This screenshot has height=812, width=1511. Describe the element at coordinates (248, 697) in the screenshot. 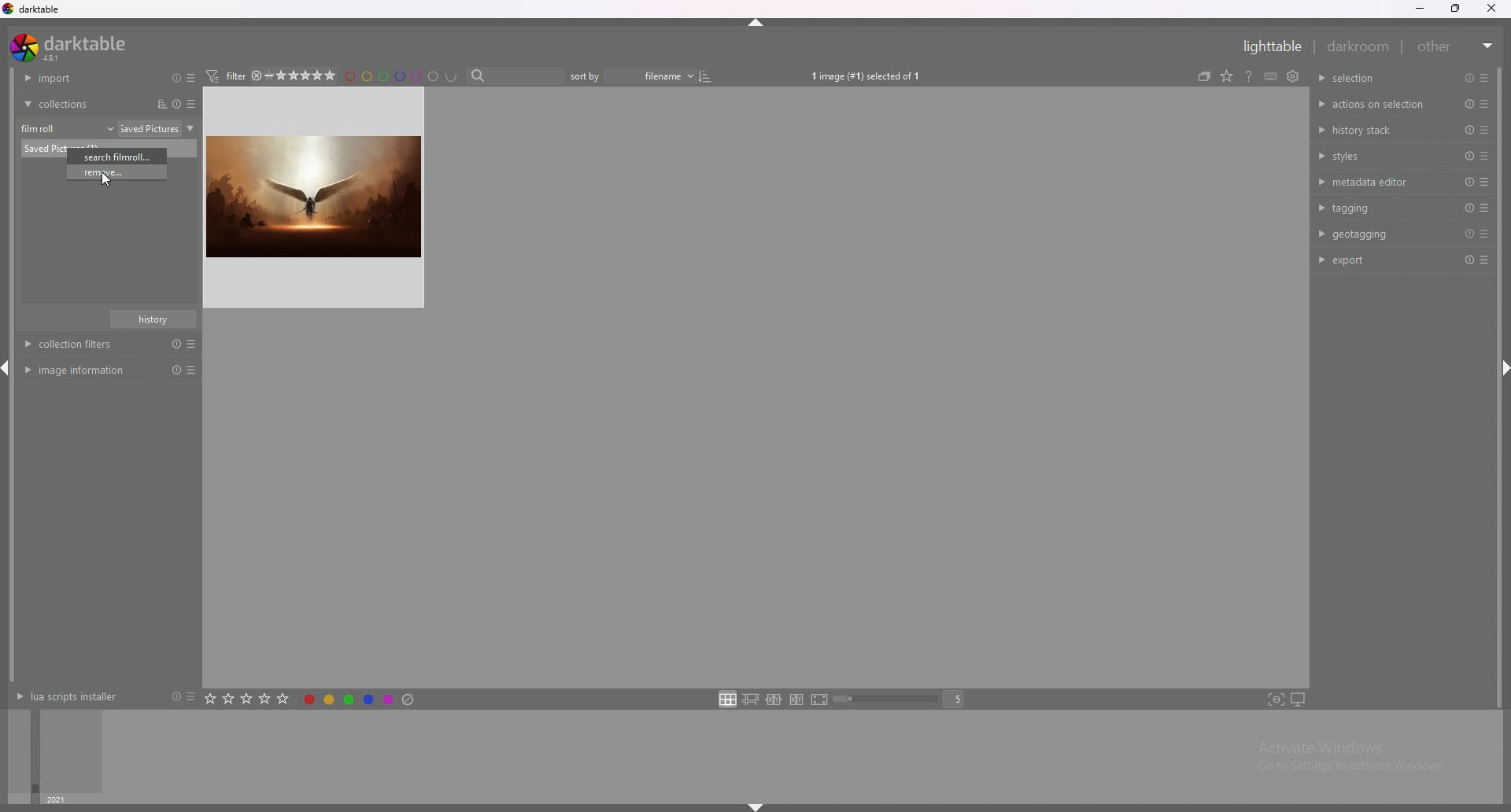

I see `rate` at that location.